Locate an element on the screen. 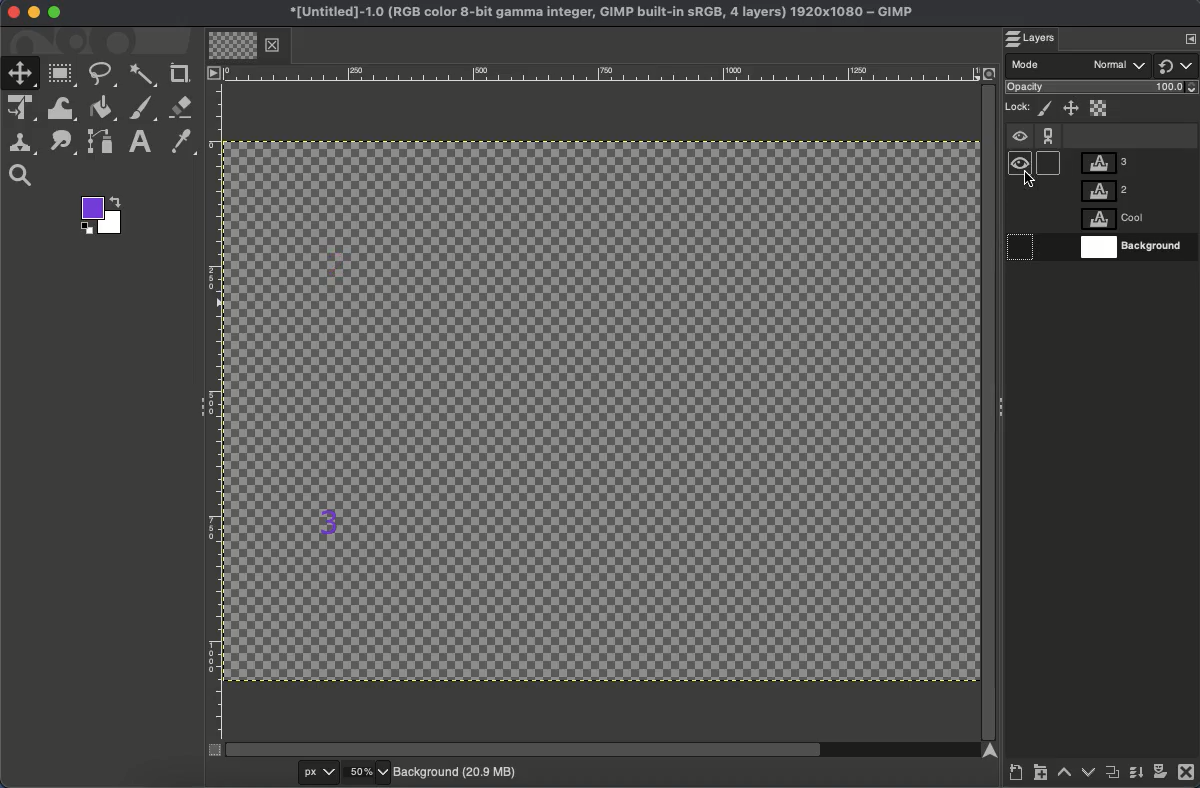 The image size is (1200, 788). 3 is located at coordinates (331, 521).